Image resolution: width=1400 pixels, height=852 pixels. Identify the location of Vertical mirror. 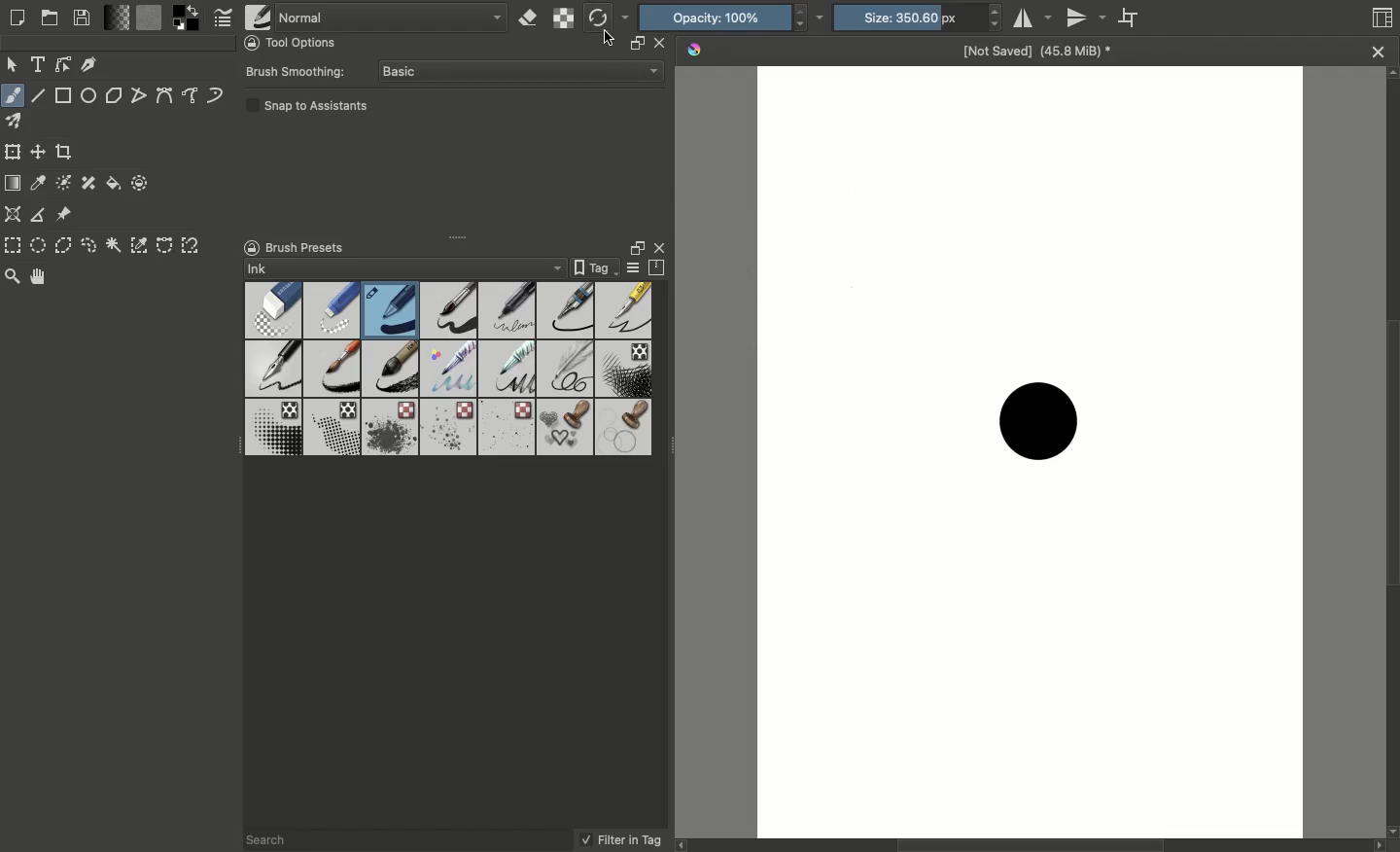
(1089, 20).